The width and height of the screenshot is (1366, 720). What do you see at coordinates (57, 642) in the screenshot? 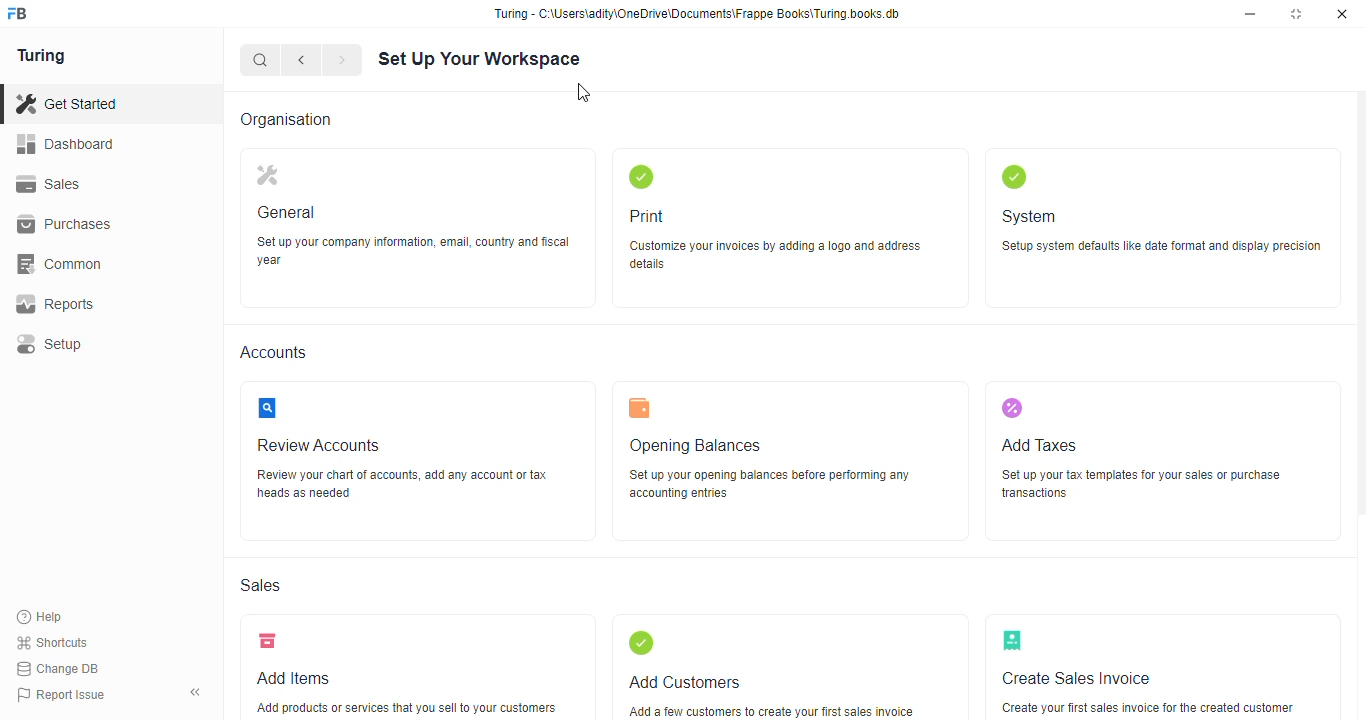
I see `Shortcuts` at bounding box center [57, 642].